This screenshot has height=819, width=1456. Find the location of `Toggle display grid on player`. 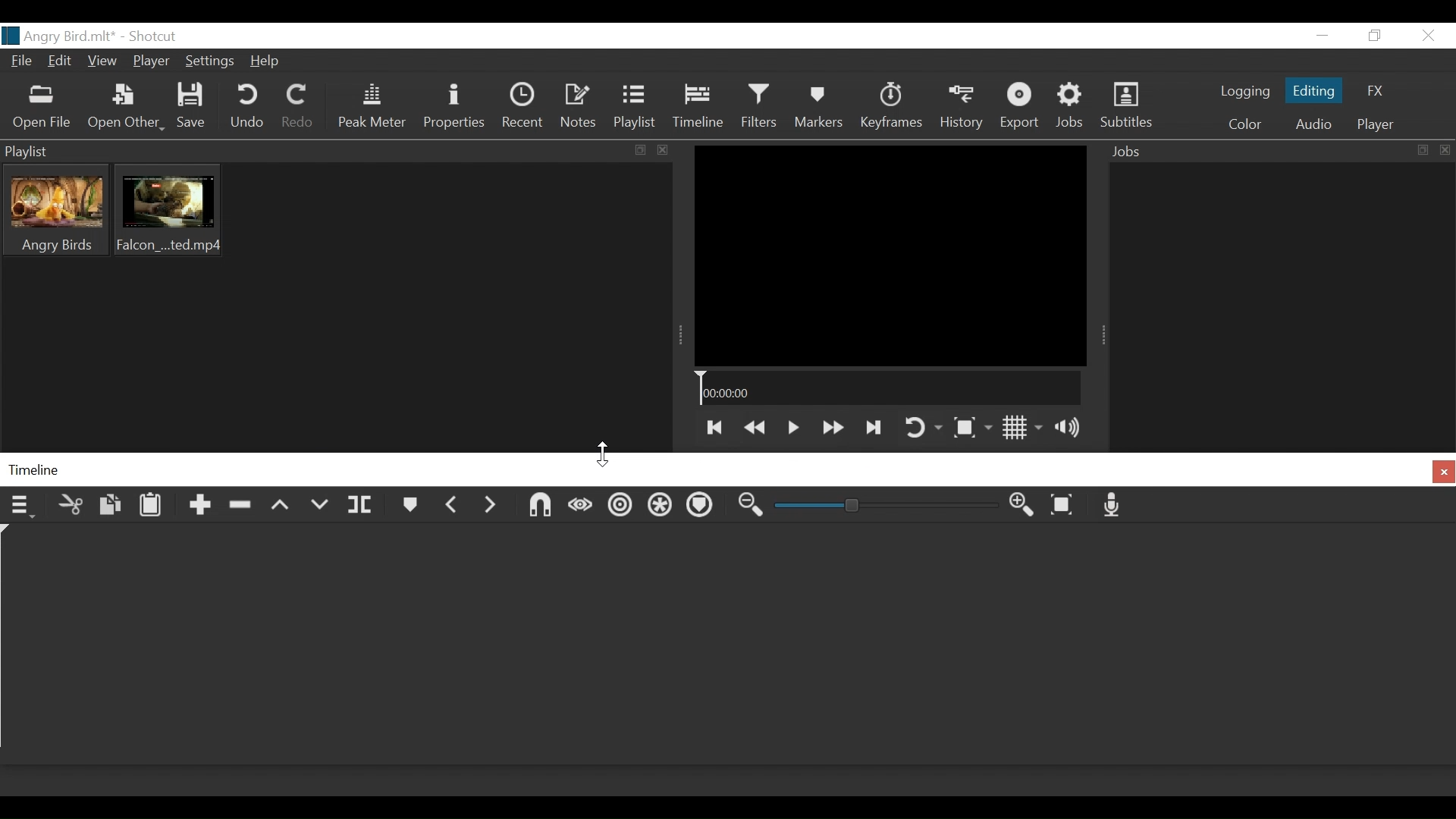

Toggle display grid on player is located at coordinates (1025, 428).